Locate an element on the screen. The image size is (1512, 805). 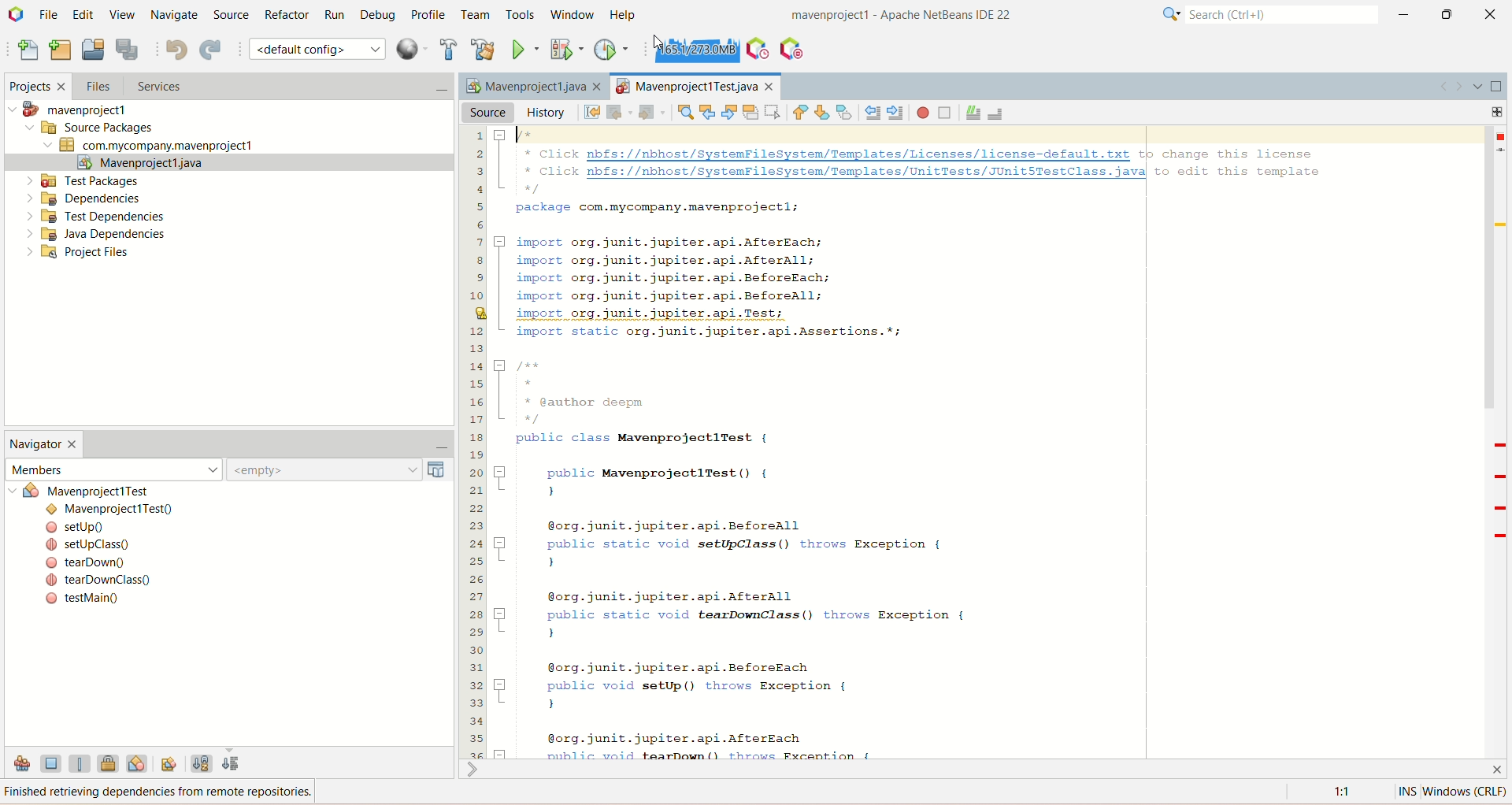
toggle rectangular selection is located at coordinates (774, 110).